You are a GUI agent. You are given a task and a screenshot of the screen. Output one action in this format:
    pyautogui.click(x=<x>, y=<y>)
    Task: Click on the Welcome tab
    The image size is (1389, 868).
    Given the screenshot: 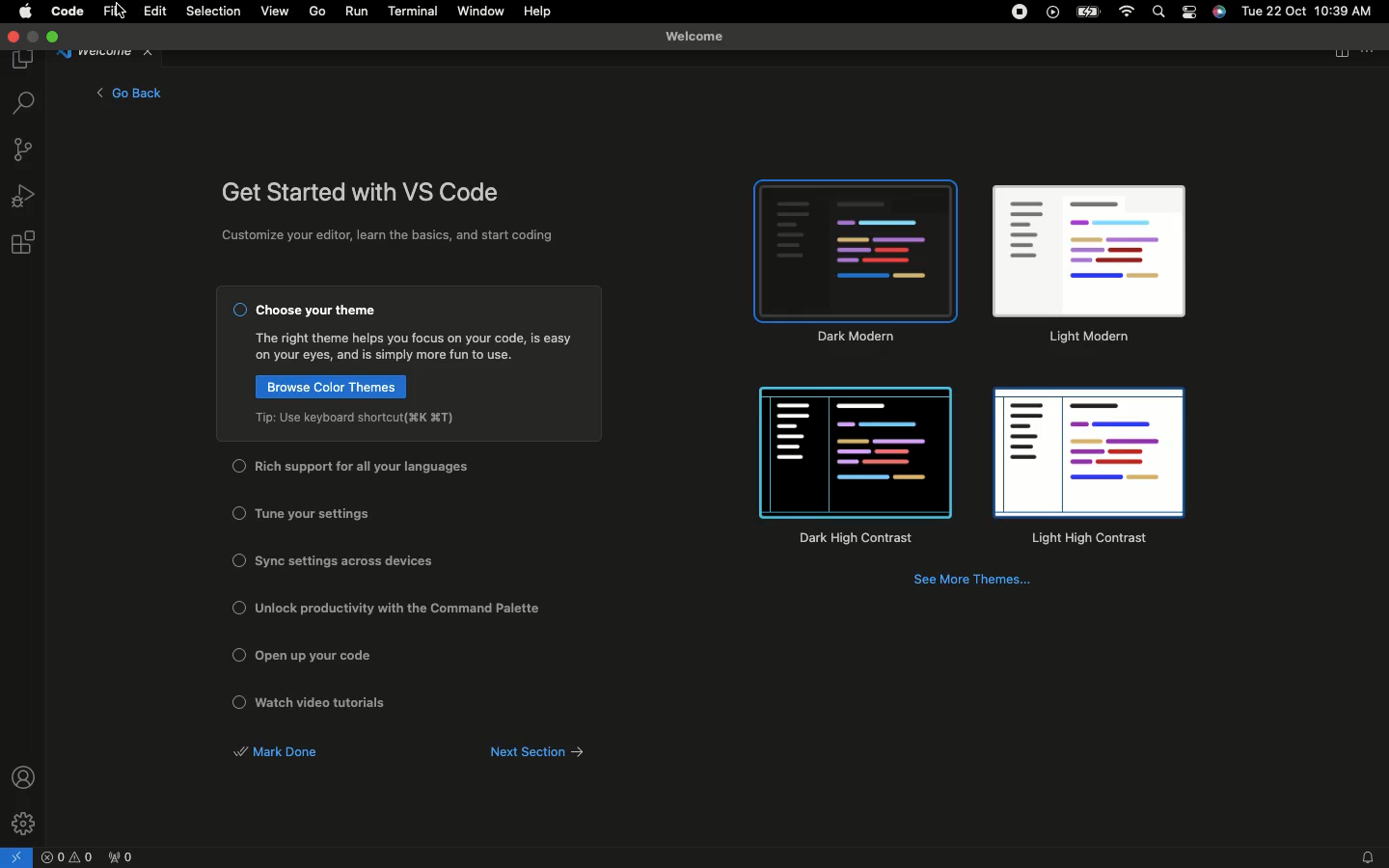 What is the action you would take?
    pyautogui.click(x=108, y=56)
    